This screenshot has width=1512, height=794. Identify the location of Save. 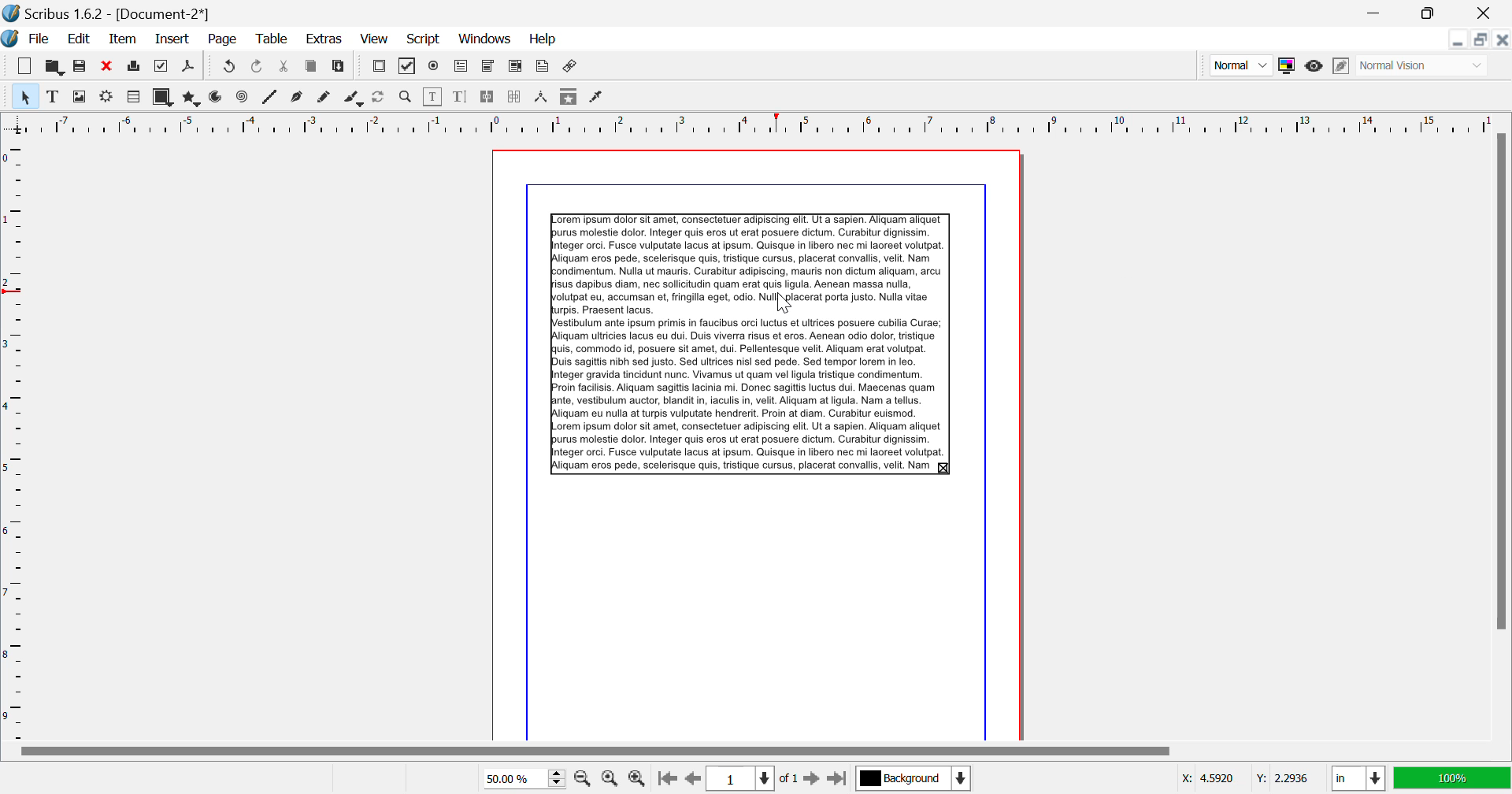
(80, 66).